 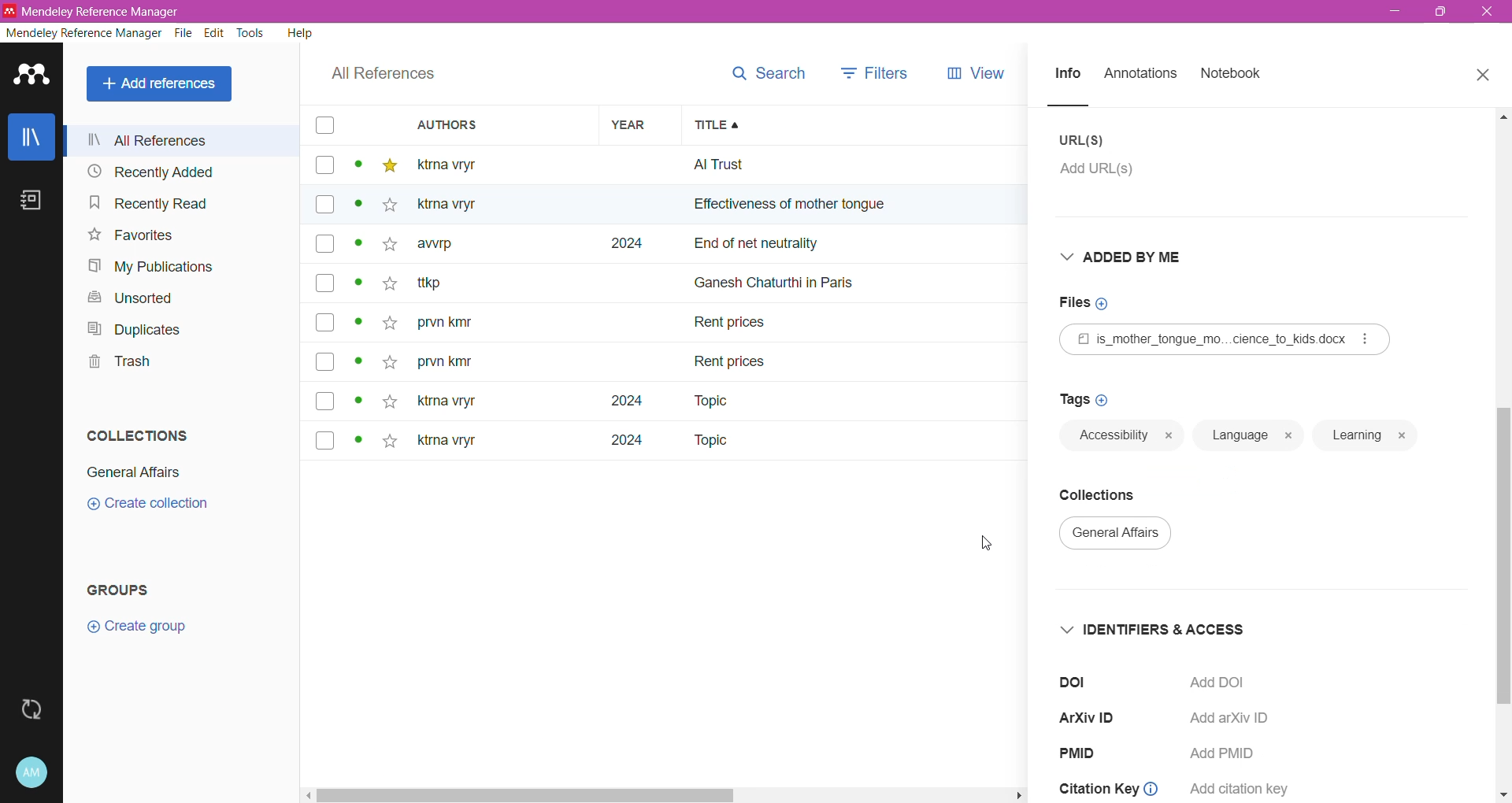 I want to click on Application Logo, so click(x=32, y=76).